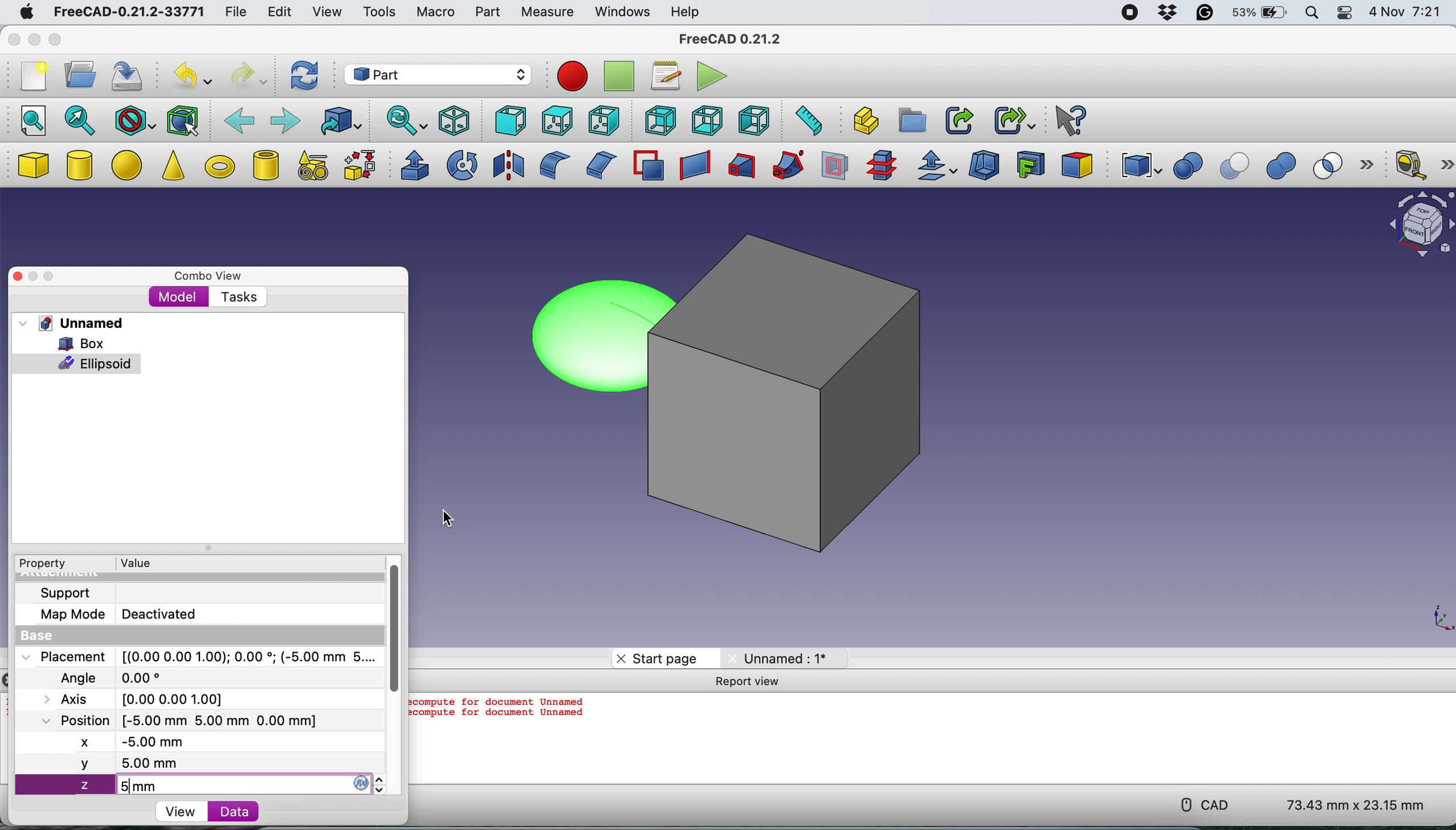 Image resolution: width=1456 pixels, height=830 pixels. What do you see at coordinates (683, 11) in the screenshot?
I see `help` at bounding box center [683, 11].